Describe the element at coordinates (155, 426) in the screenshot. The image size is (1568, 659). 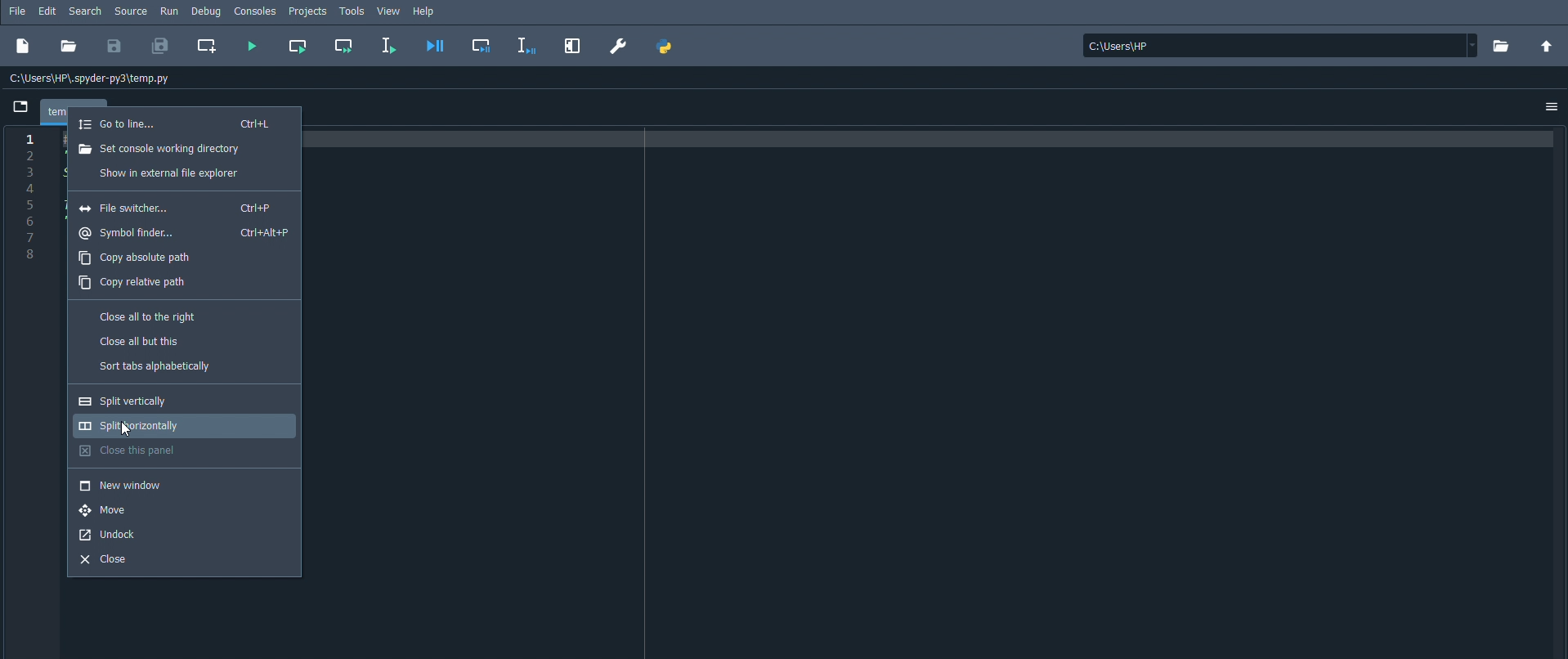
I see `Split horizontally` at that location.